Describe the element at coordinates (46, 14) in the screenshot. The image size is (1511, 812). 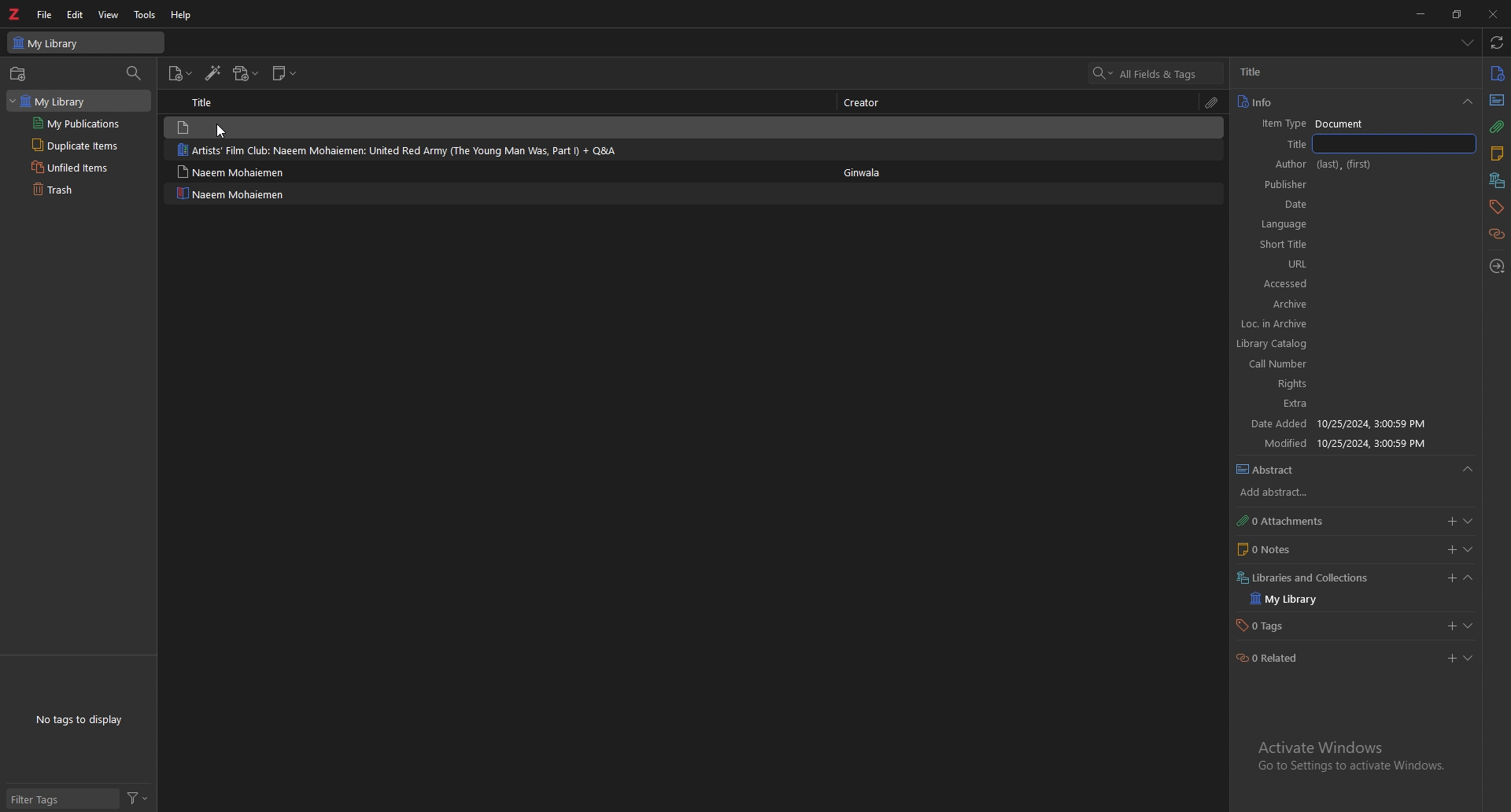
I see `file` at that location.